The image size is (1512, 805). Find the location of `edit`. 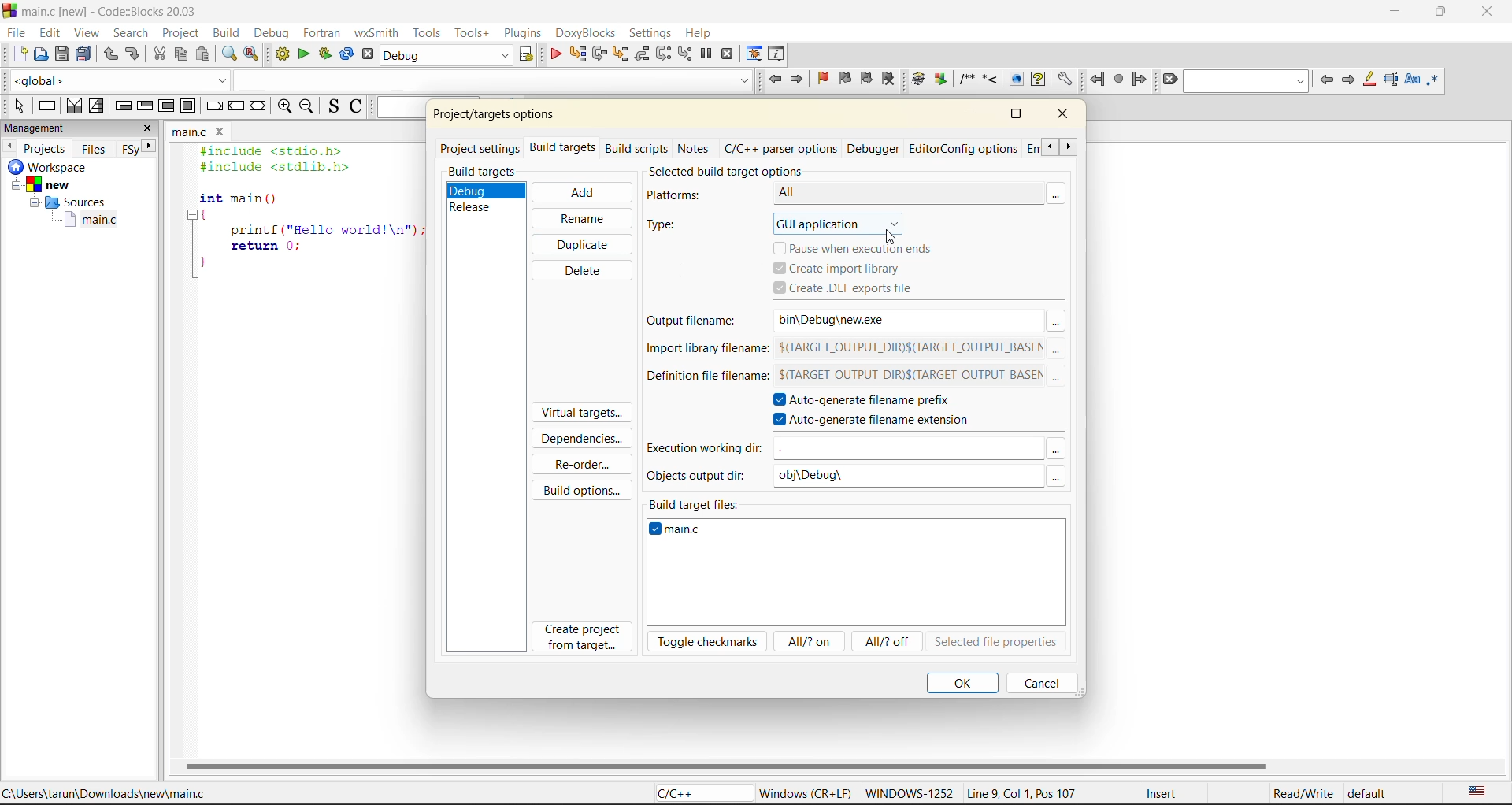

edit is located at coordinates (50, 32).